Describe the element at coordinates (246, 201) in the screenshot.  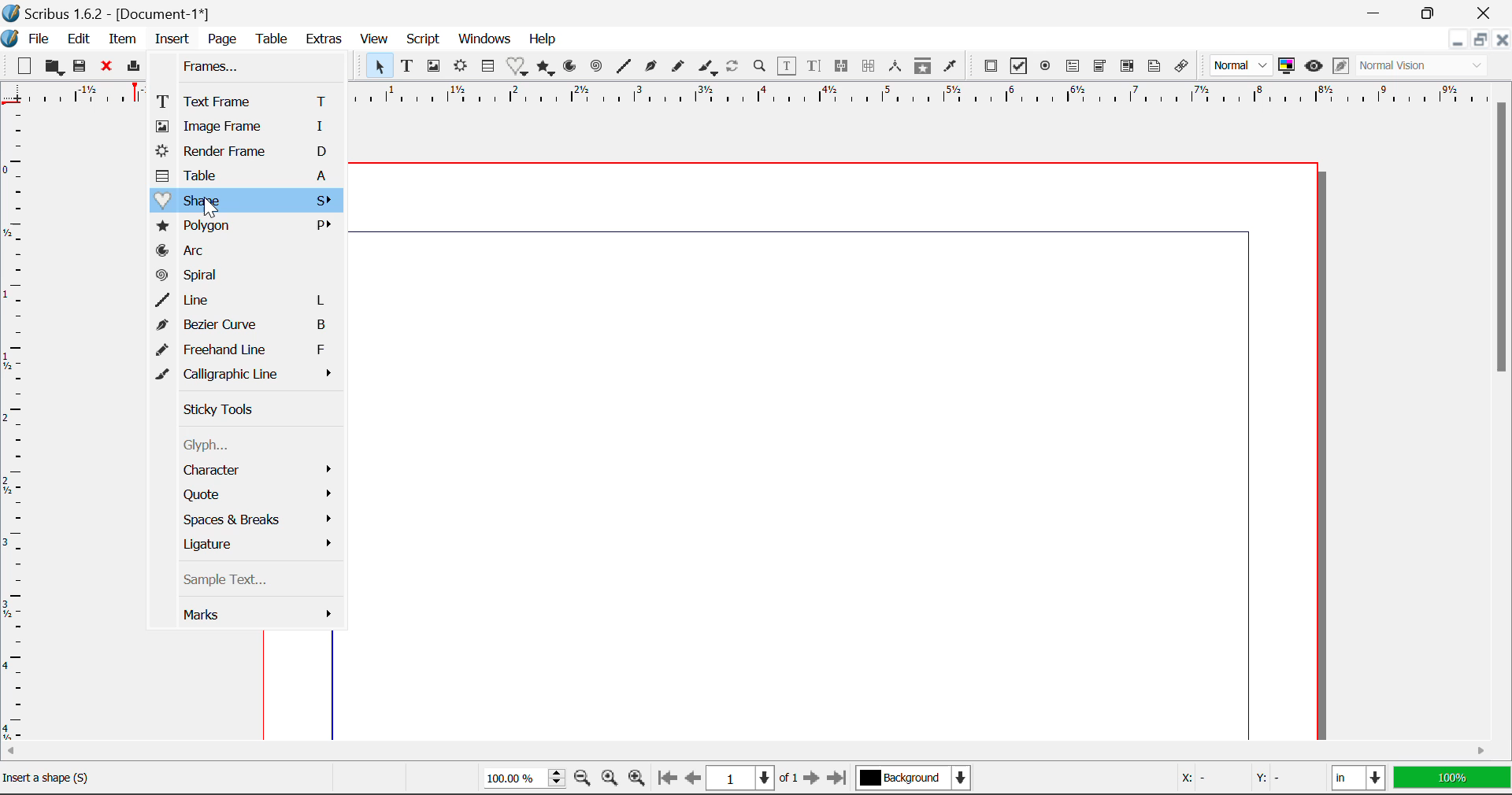
I see `Shape` at that location.